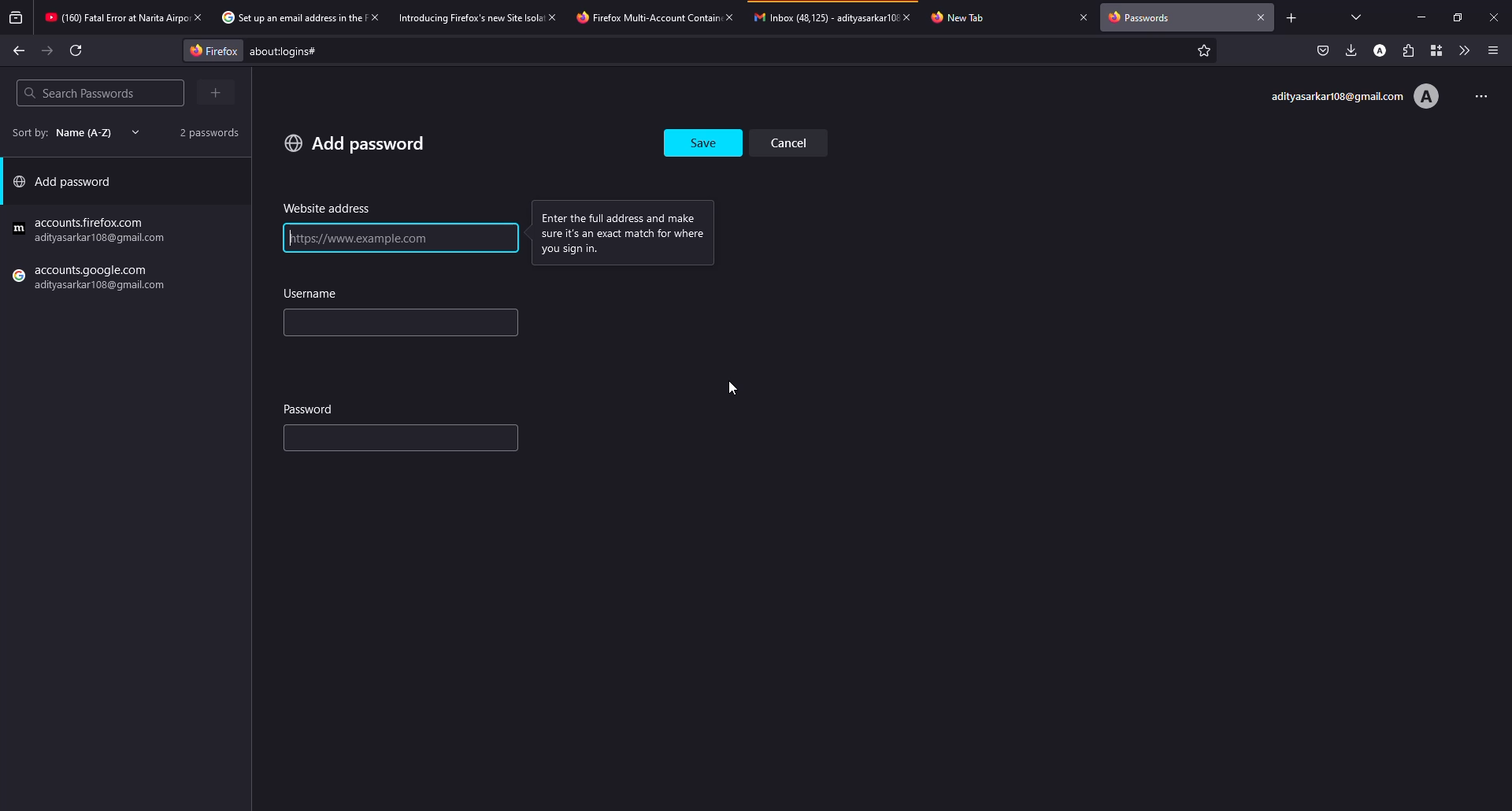 Image resolution: width=1512 pixels, height=811 pixels. What do you see at coordinates (631, 231) in the screenshot?
I see `info` at bounding box center [631, 231].